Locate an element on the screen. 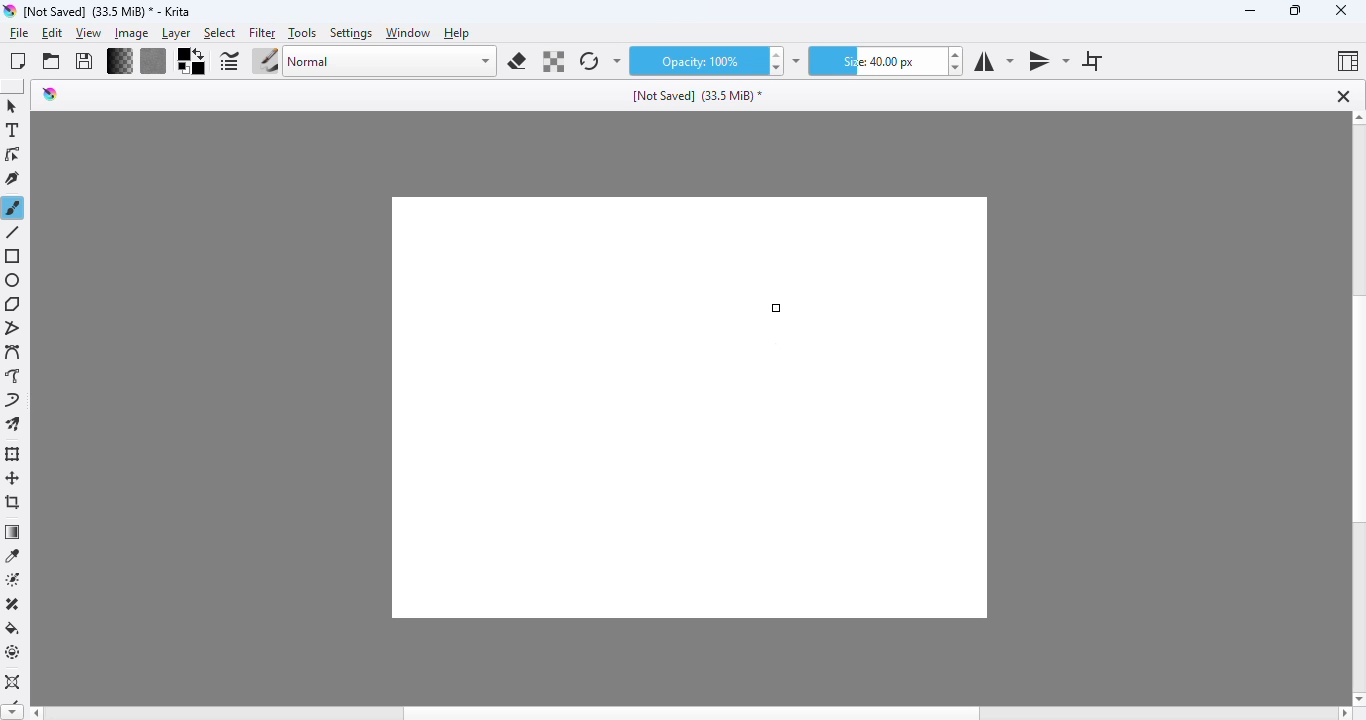 The image size is (1366, 720). line tool is located at coordinates (13, 232).